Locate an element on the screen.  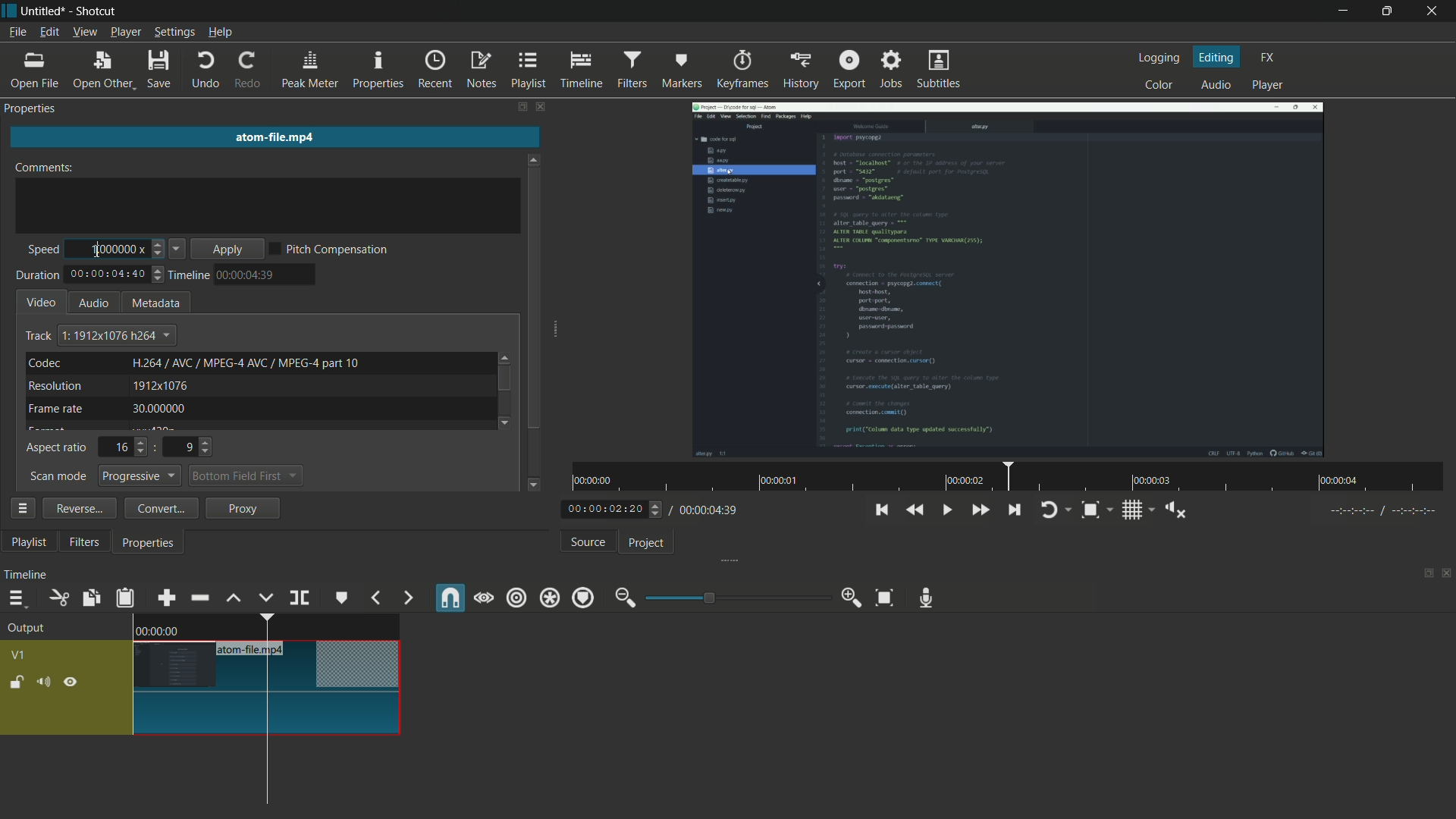
snap is located at coordinates (449, 598).